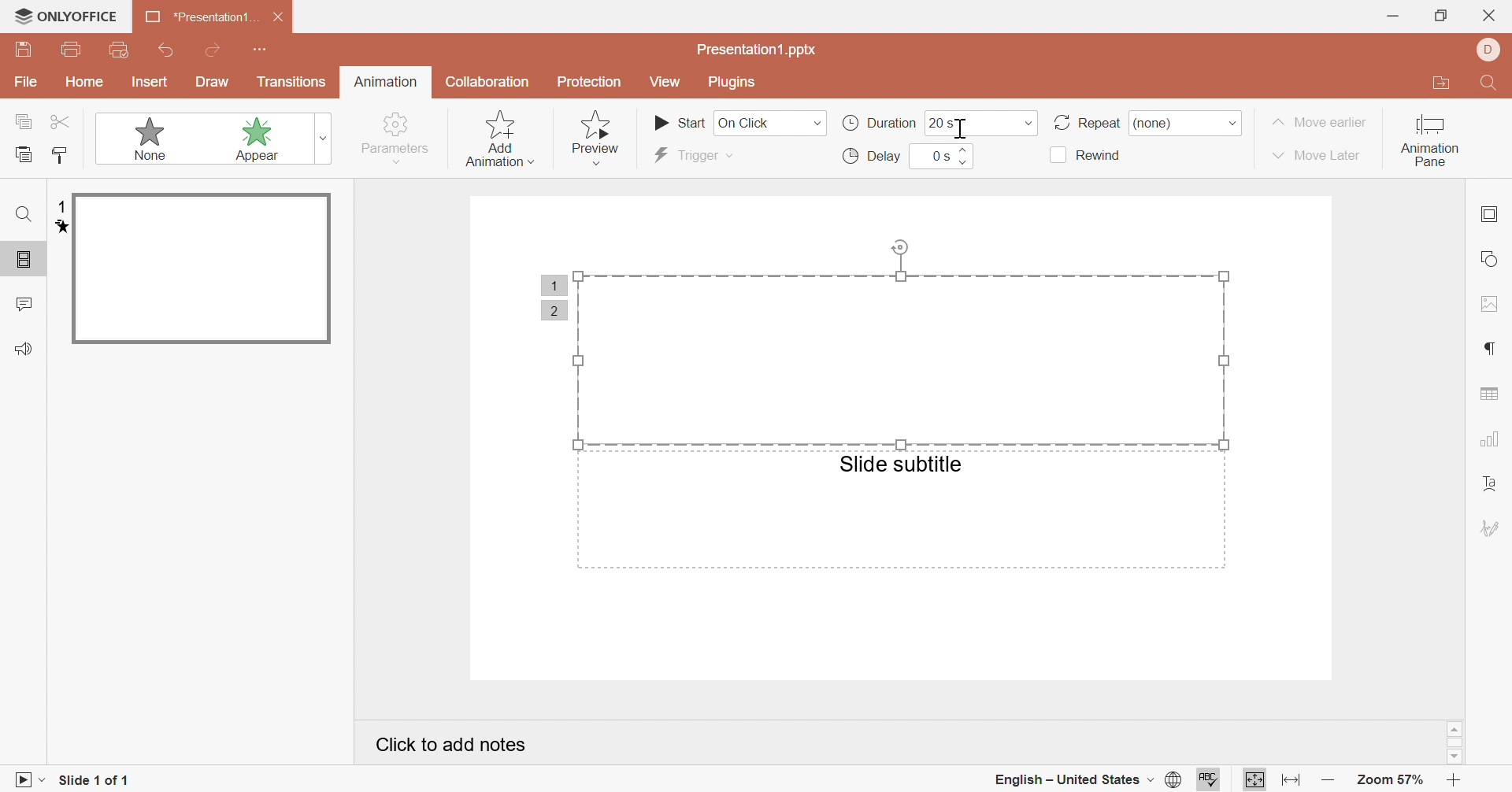  What do you see at coordinates (680, 121) in the screenshot?
I see `start` at bounding box center [680, 121].